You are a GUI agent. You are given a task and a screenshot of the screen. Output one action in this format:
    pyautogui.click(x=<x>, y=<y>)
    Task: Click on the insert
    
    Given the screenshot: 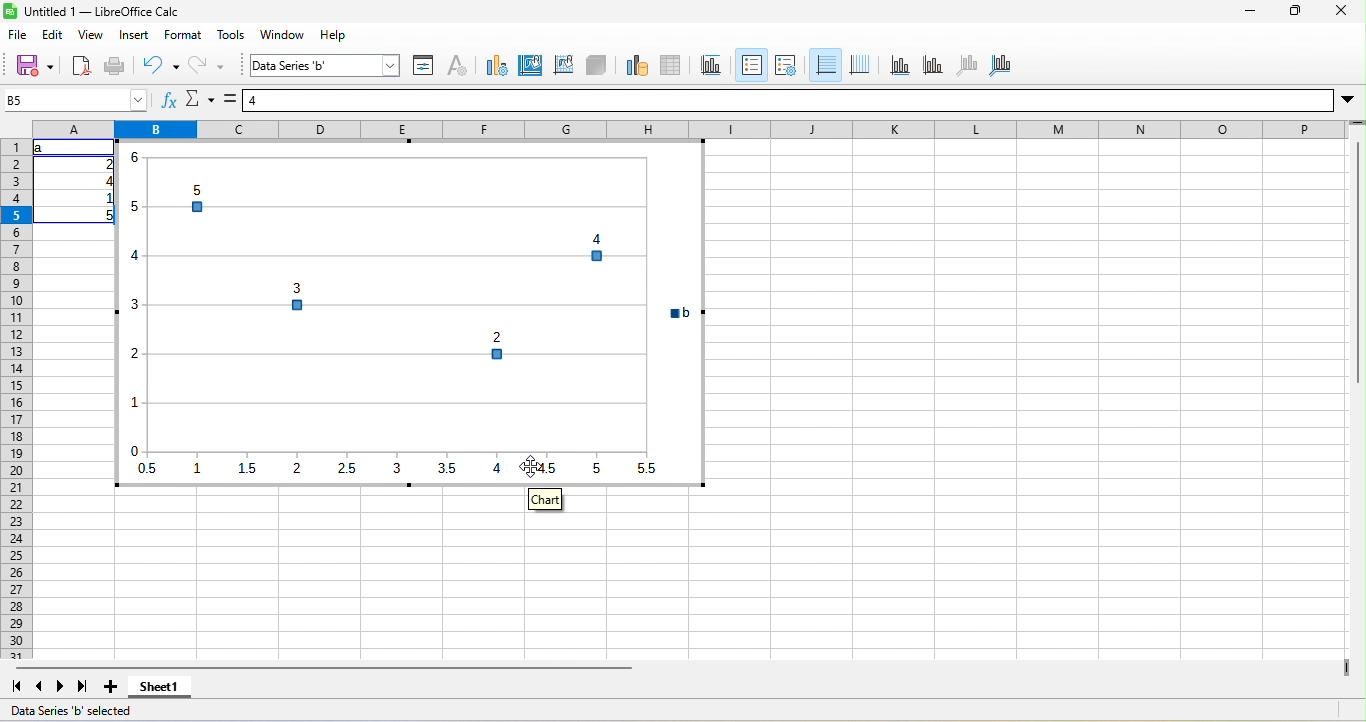 What is the action you would take?
    pyautogui.click(x=134, y=35)
    